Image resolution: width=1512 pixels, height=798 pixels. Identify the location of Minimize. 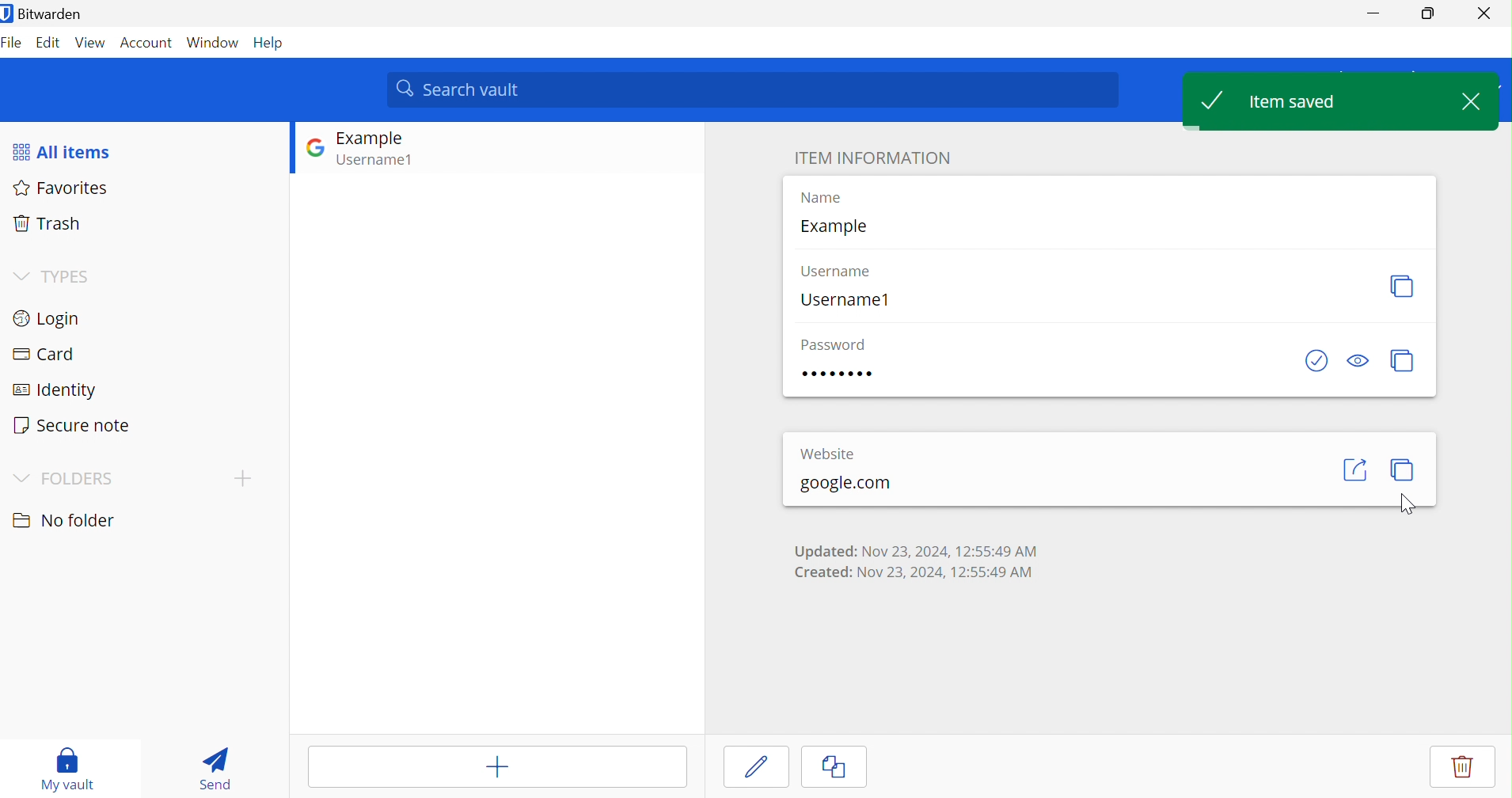
(1370, 13).